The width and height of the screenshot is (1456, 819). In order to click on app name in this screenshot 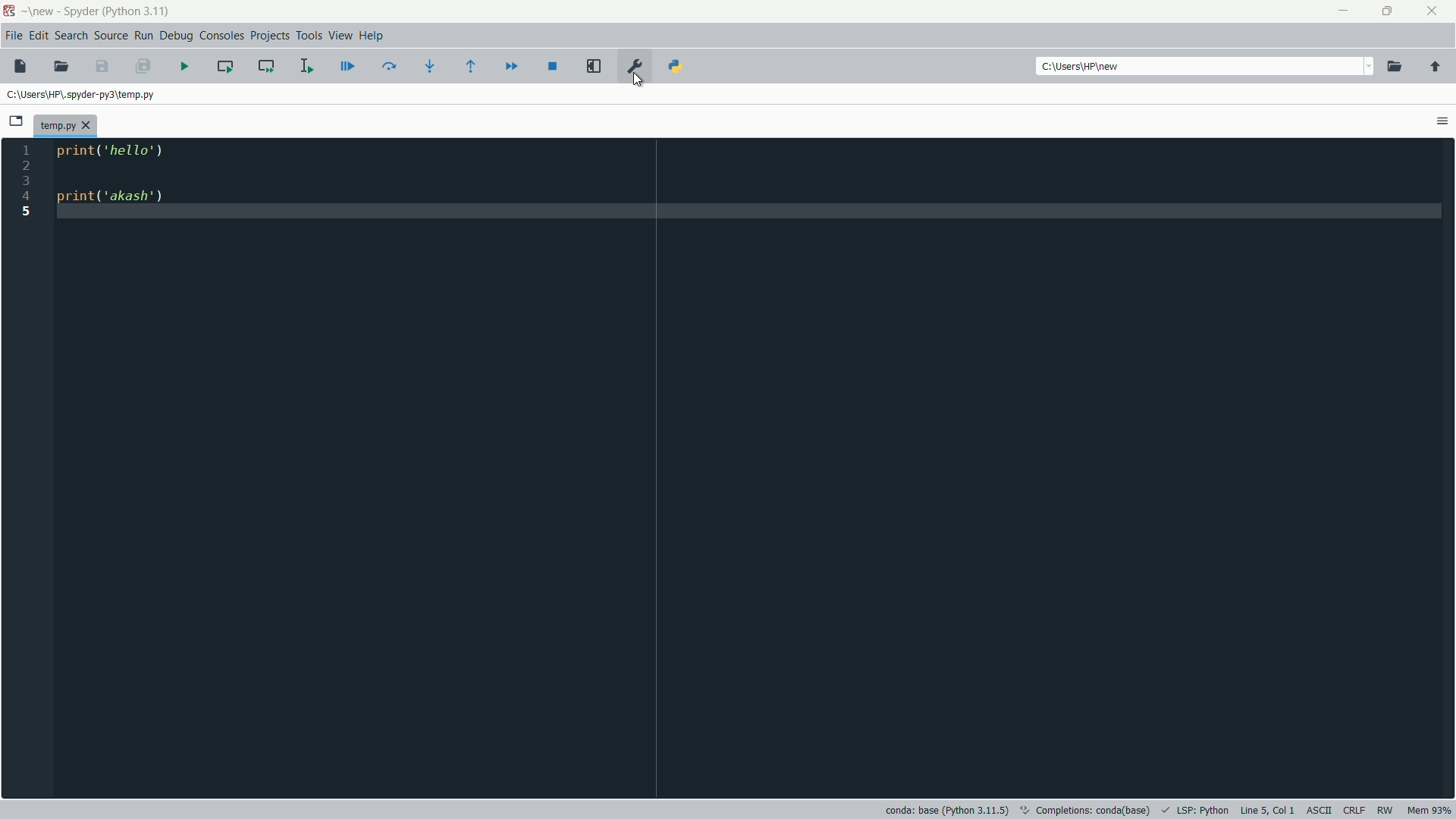, I will do `click(79, 11)`.